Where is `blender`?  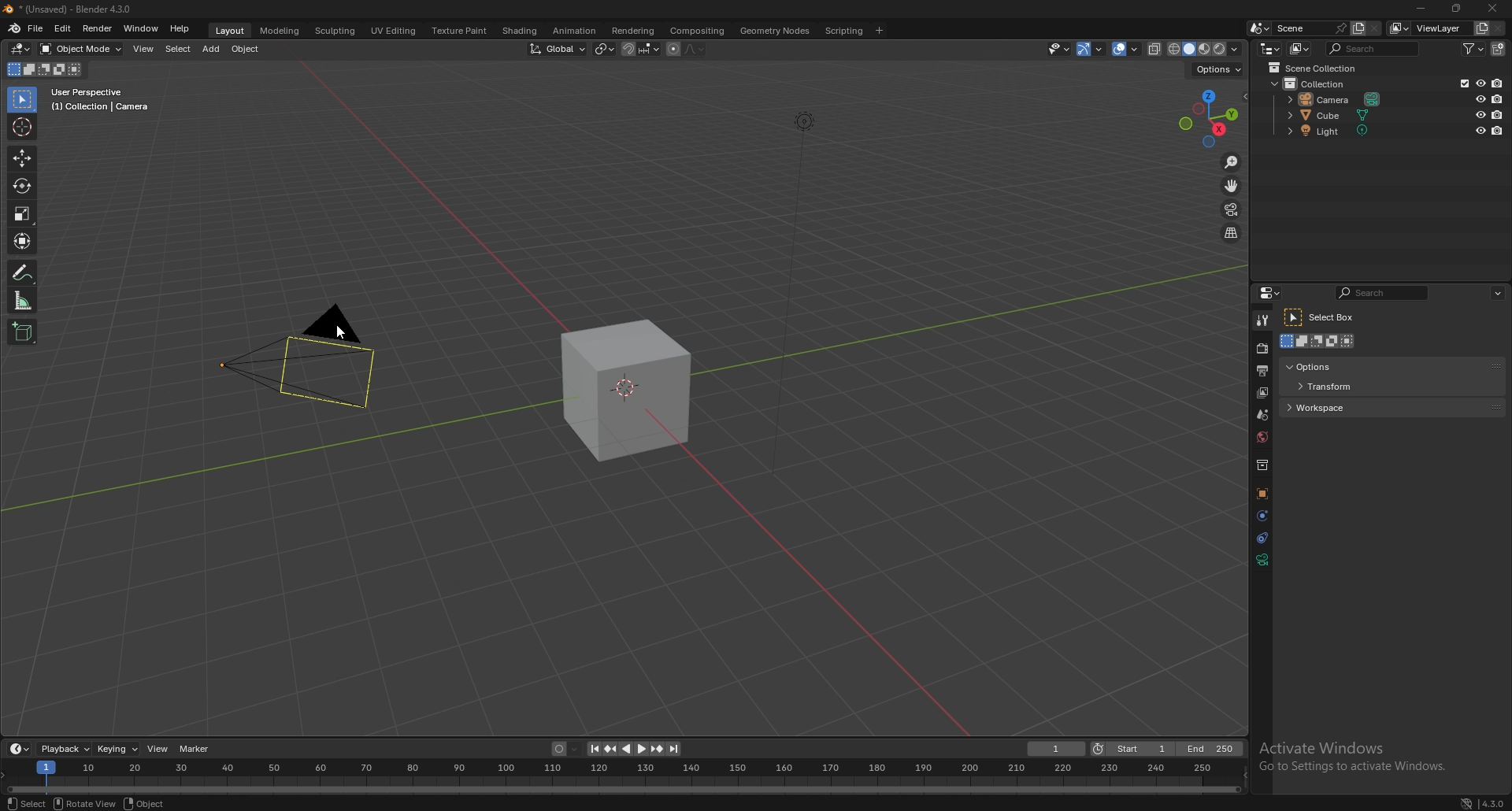
blender is located at coordinates (16, 28).